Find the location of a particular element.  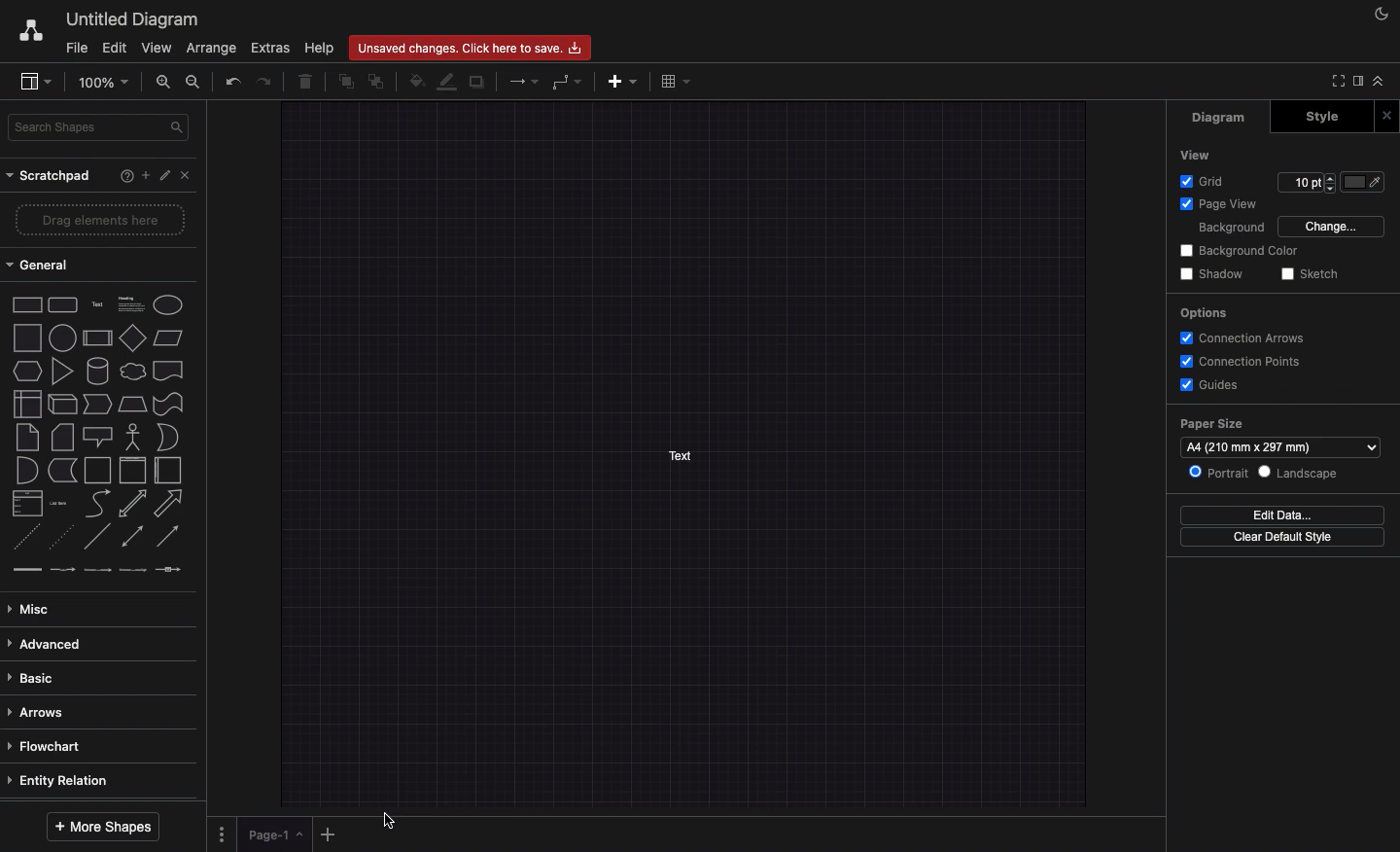

Arrows is located at coordinates (37, 711).